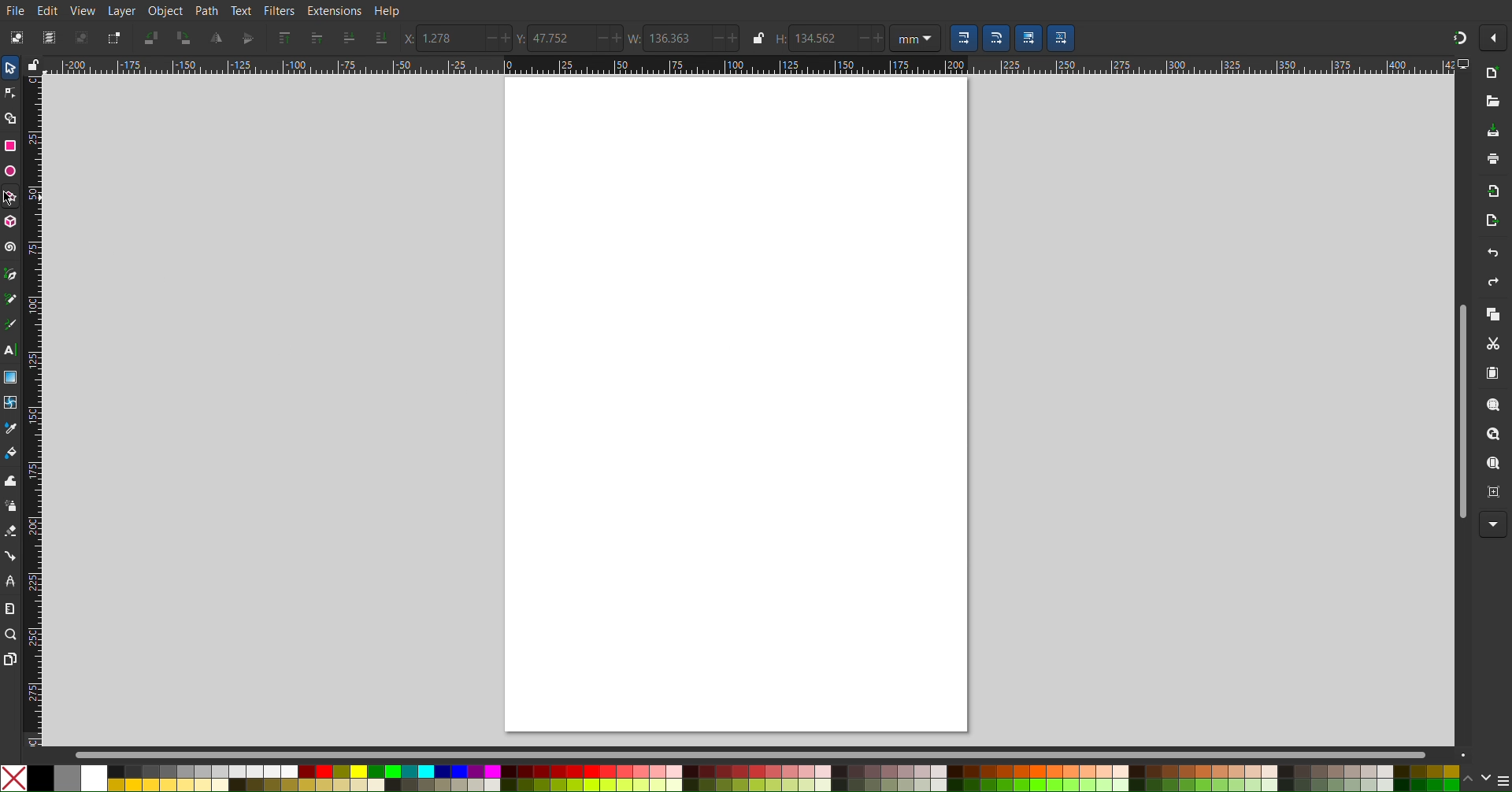 This screenshot has height=792, width=1512. What do you see at coordinates (521, 39) in the screenshot?
I see `Y Coords` at bounding box center [521, 39].